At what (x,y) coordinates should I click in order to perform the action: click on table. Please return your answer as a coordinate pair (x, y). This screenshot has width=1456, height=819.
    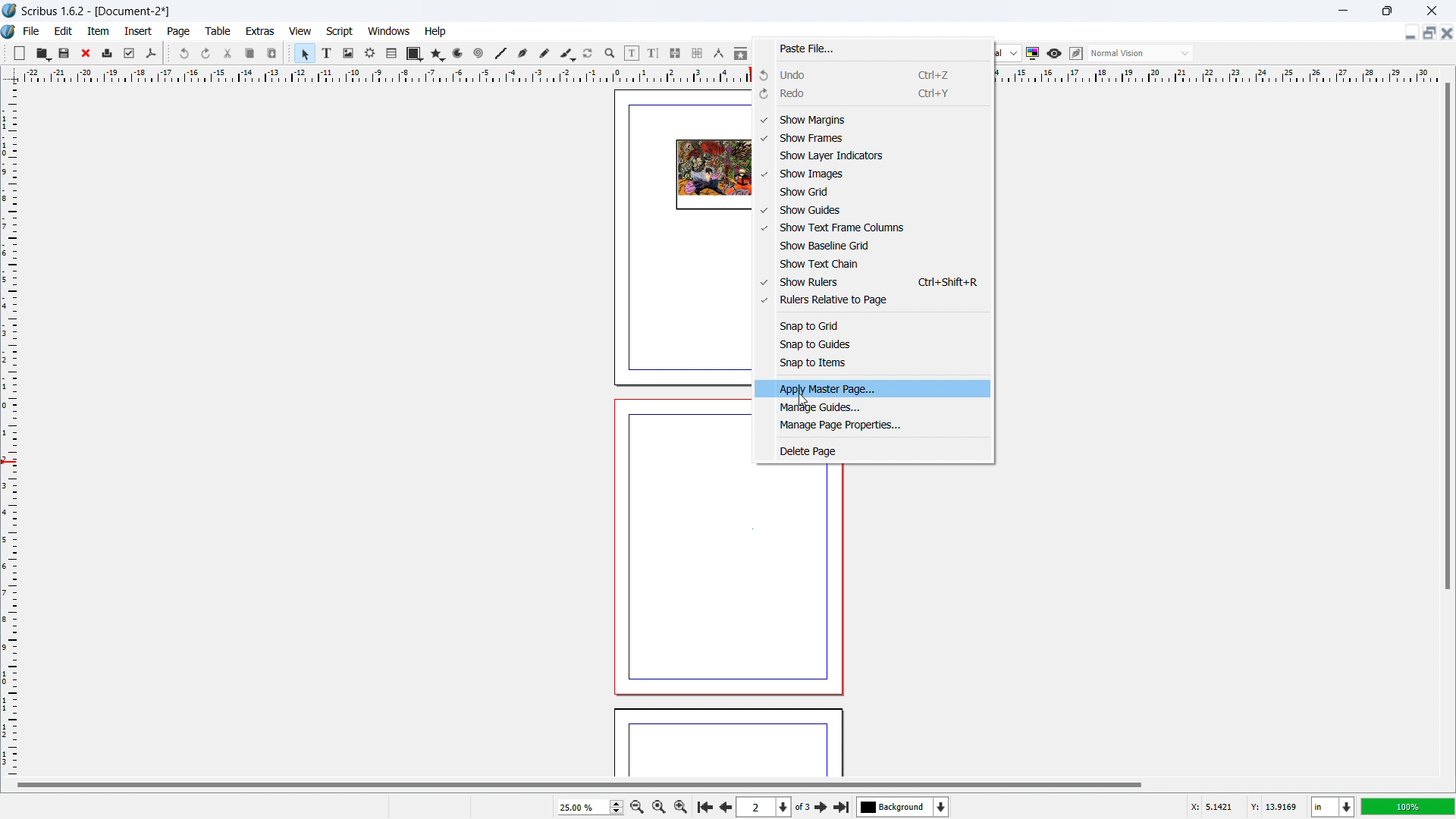
    Looking at the image, I should click on (392, 54).